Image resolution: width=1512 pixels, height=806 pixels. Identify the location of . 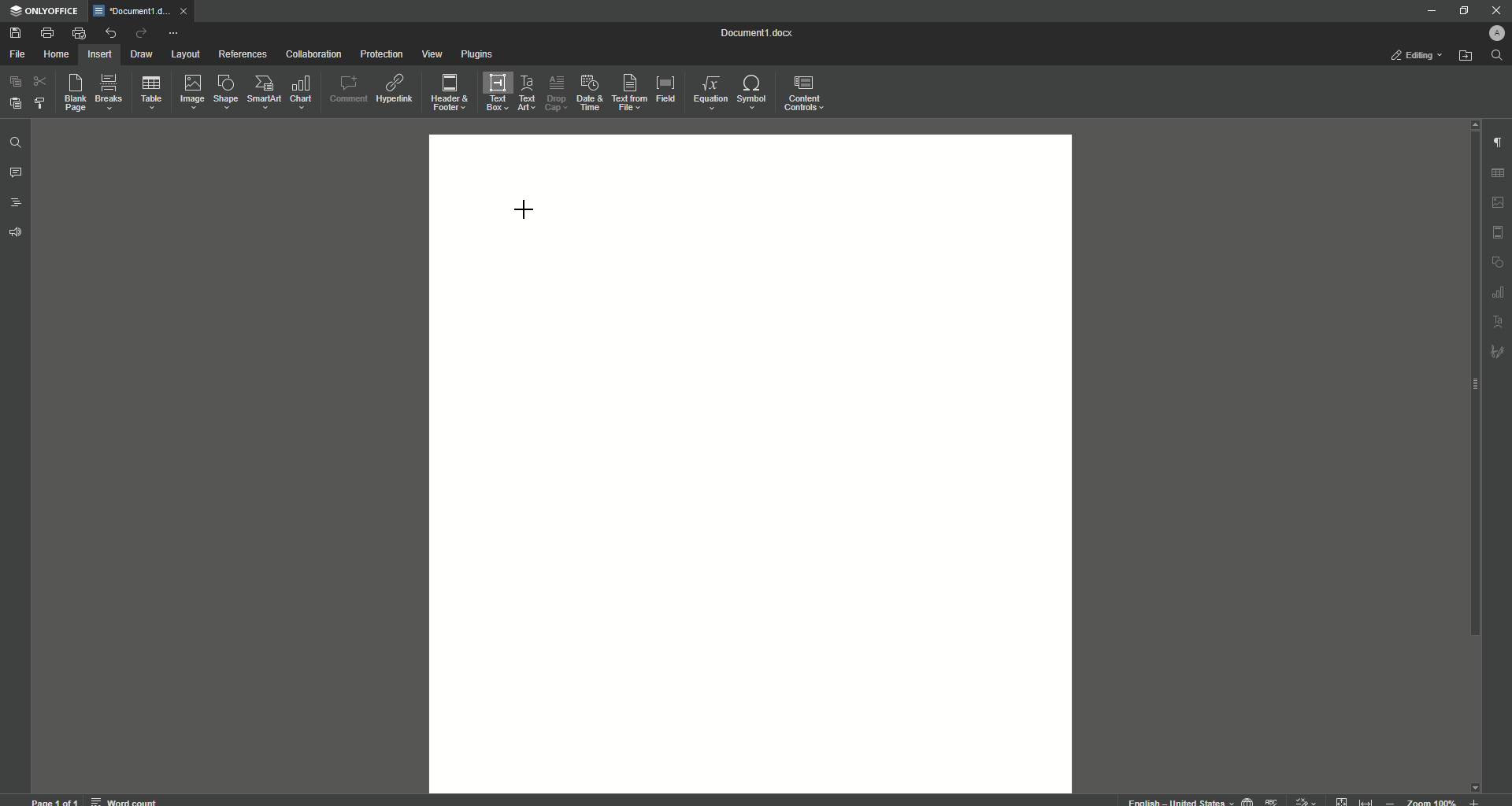
(381, 56).